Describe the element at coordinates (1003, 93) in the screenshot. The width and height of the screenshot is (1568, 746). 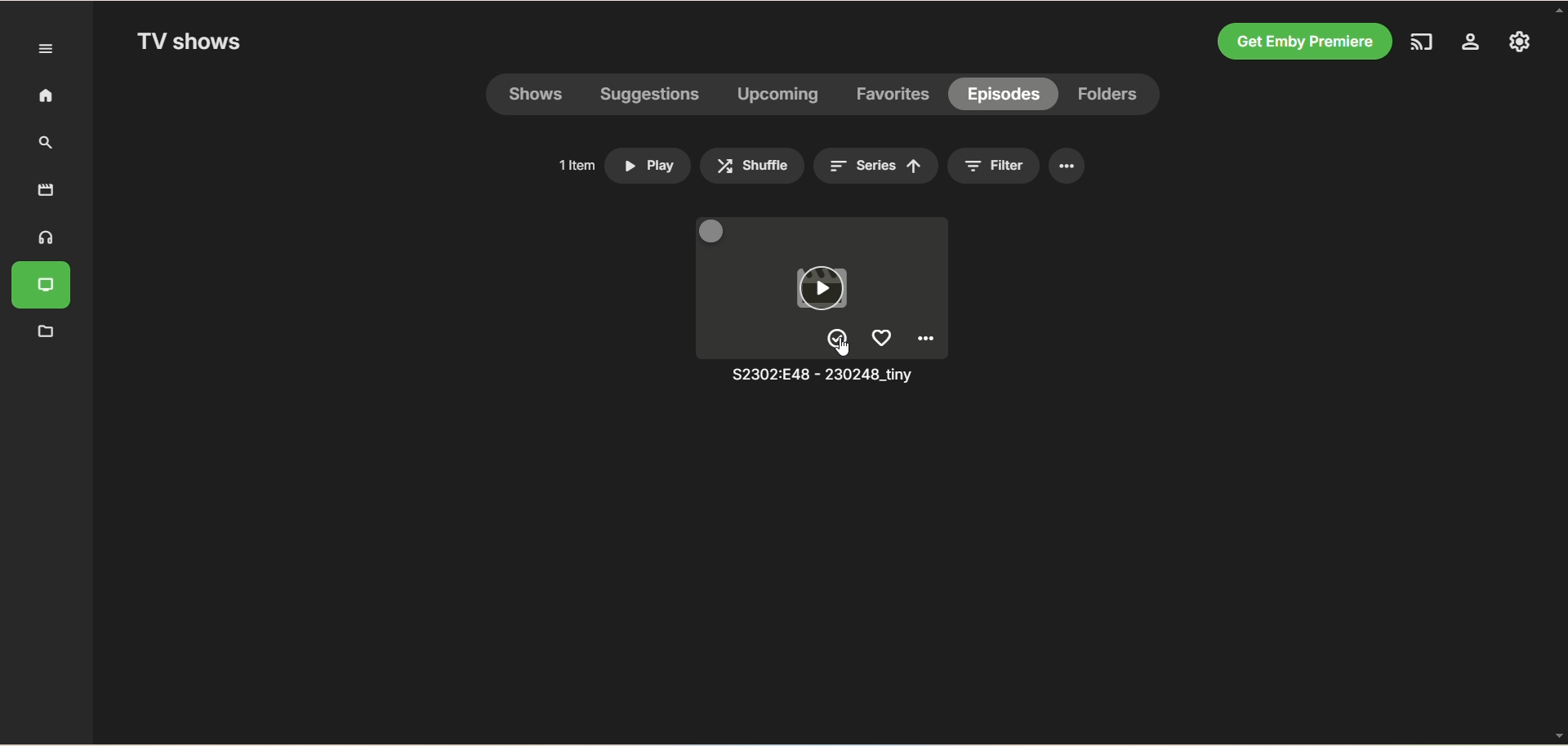
I see `episode` at that location.